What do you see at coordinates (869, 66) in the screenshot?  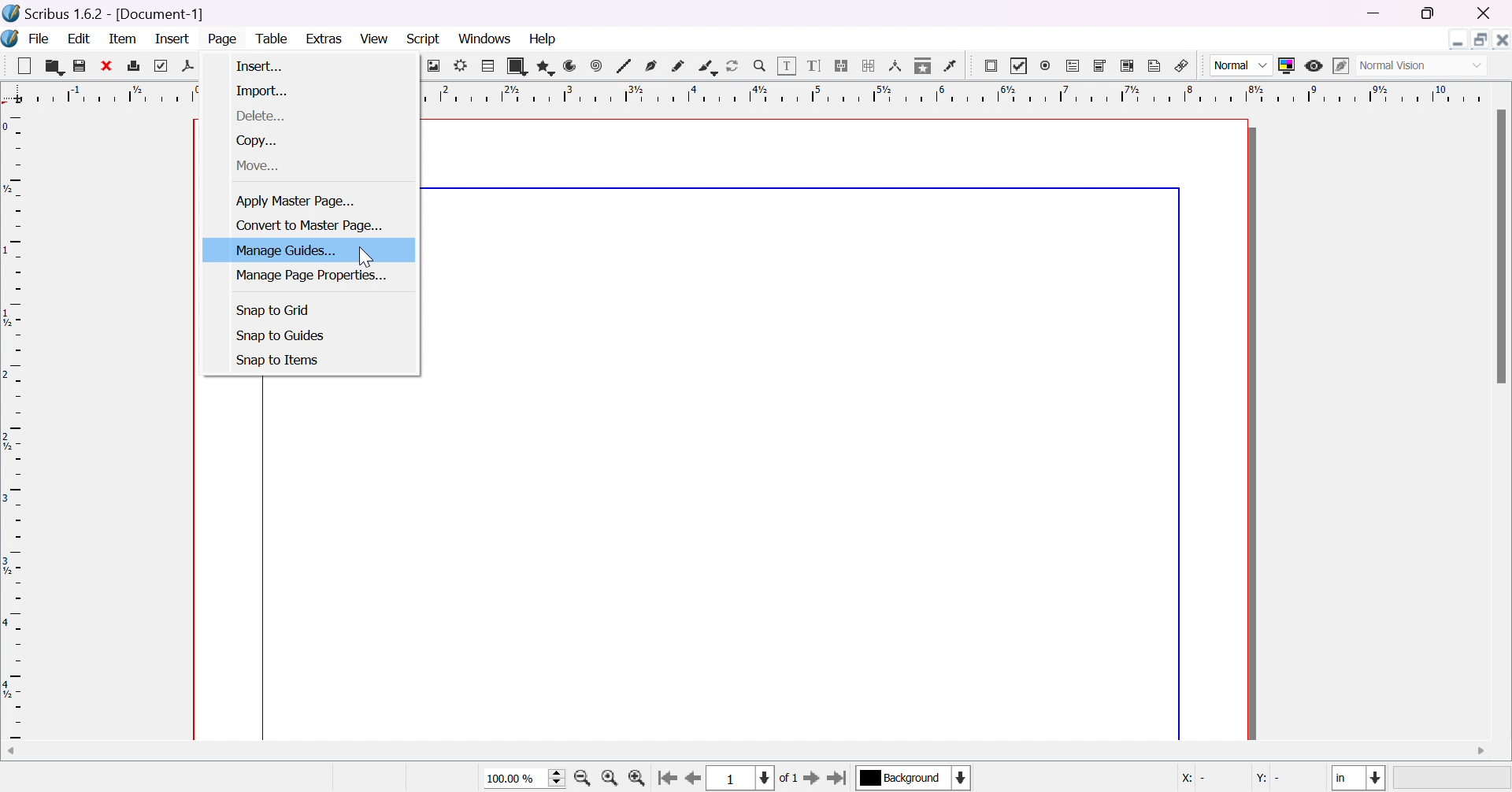 I see `unlink text frames` at bounding box center [869, 66].